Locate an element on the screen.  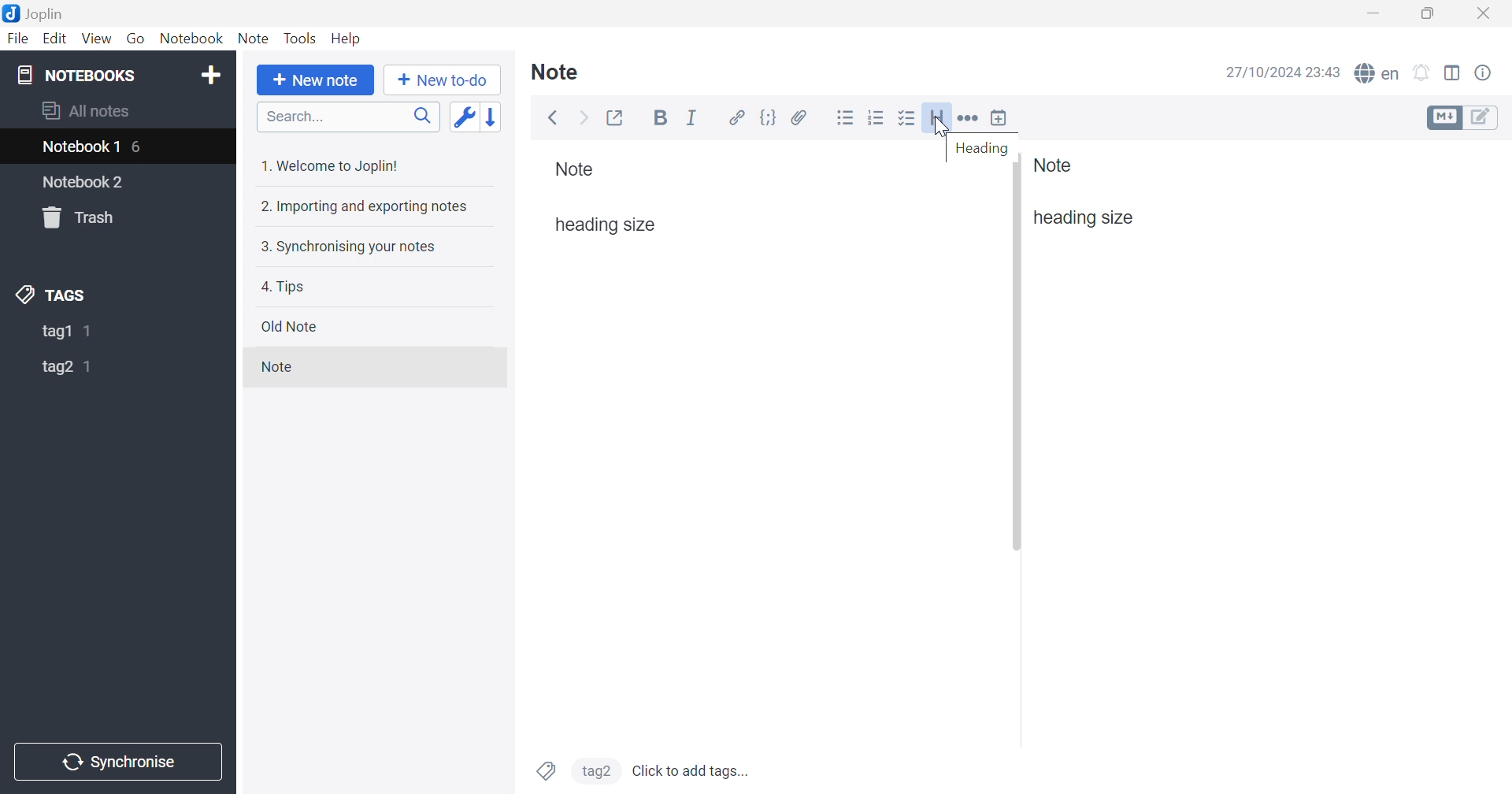
Bold is located at coordinates (663, 118).